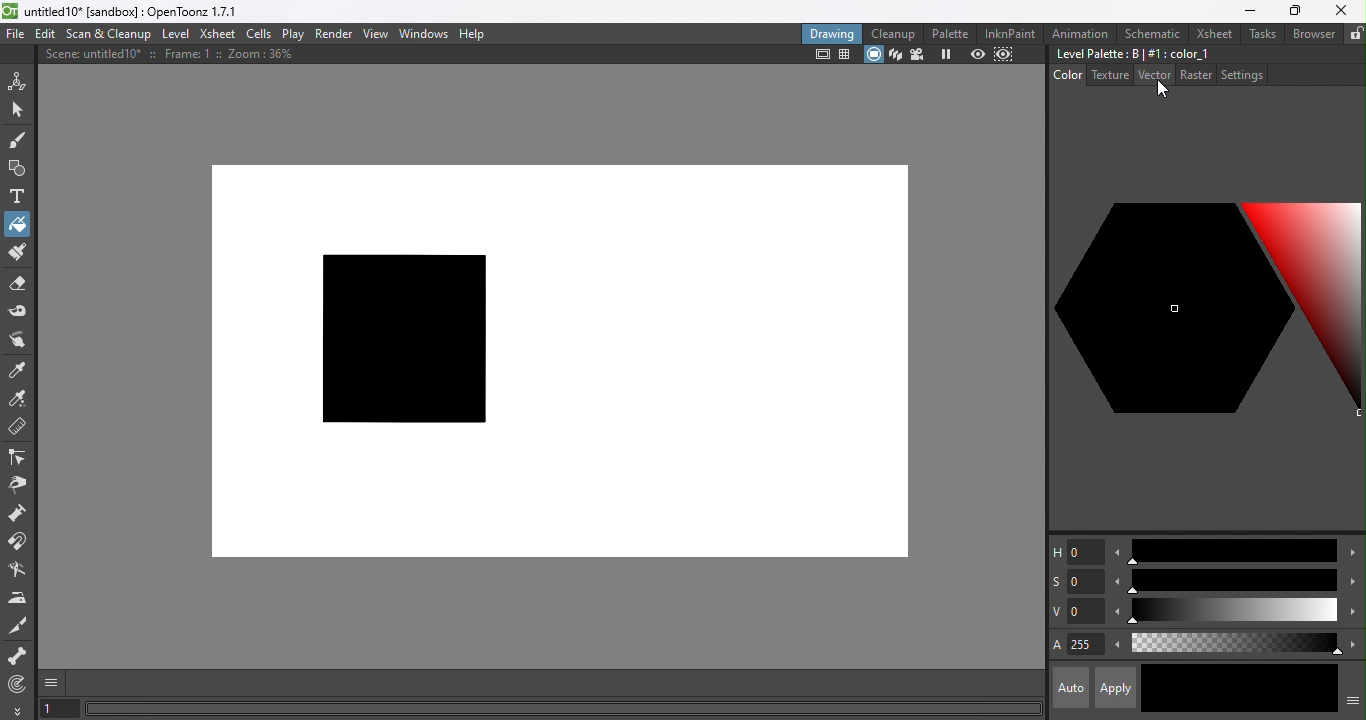 Image resolution: width=1366 pixels, height=720 pixels. What do you see at coordinates (59, 710) in the screenshot?
I see `Set the current frame` at bounding box center [59, 710].